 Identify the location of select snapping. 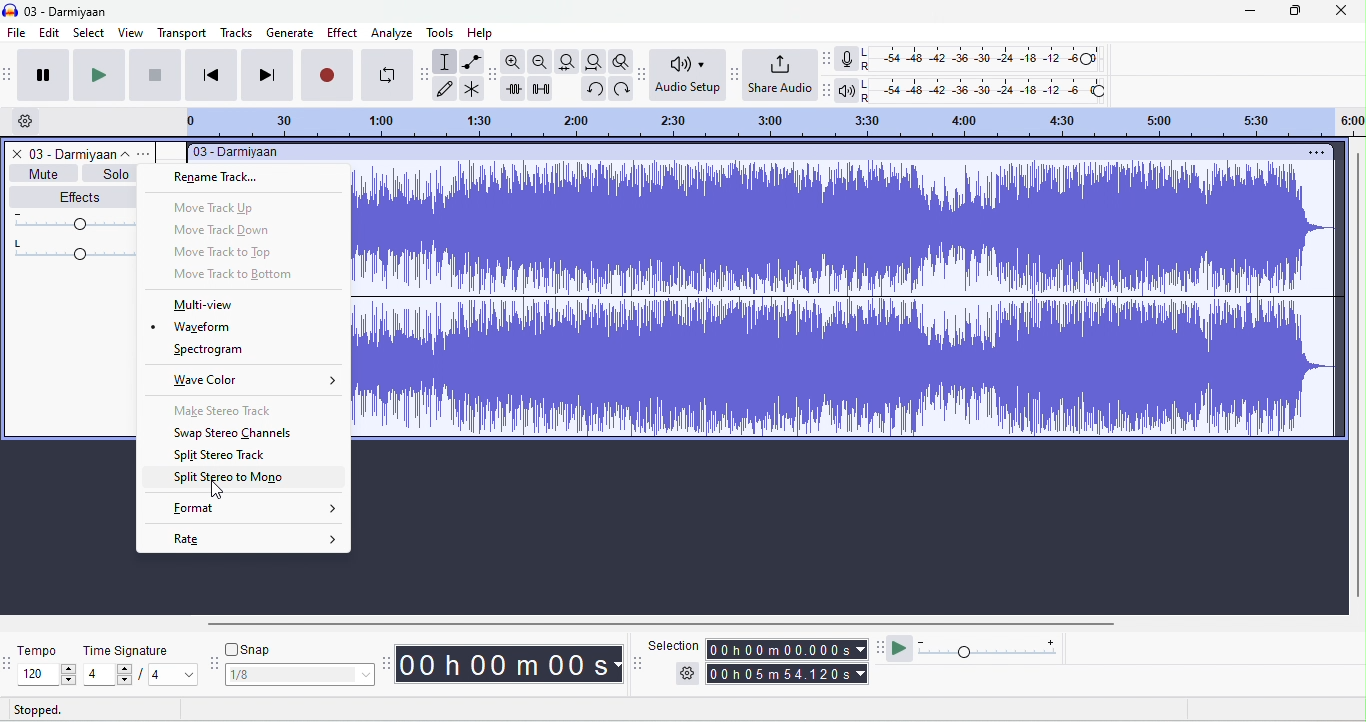
(301, 674).